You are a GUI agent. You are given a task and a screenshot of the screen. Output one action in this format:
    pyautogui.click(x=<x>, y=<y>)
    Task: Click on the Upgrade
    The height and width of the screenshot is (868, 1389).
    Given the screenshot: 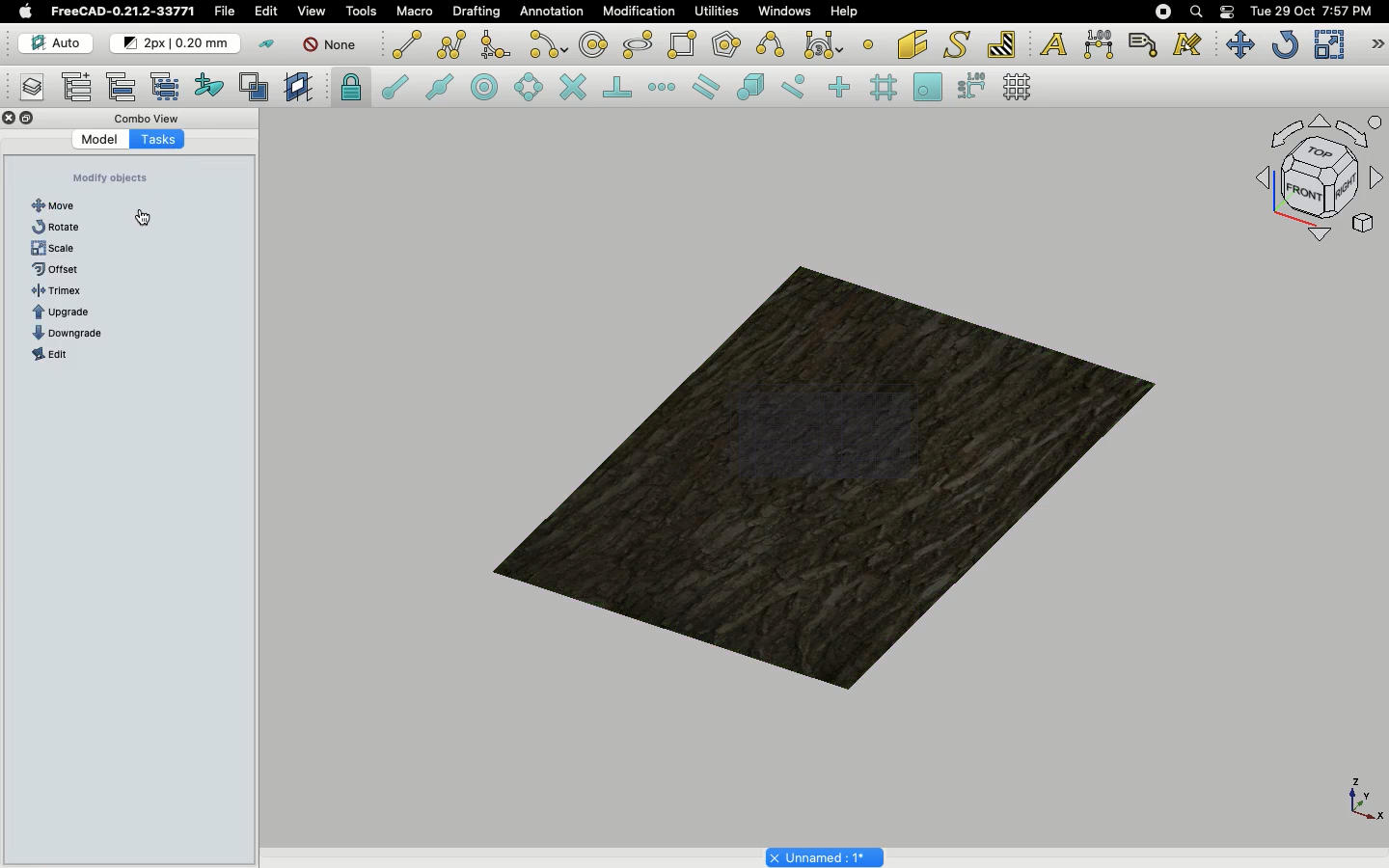 What is the action you would take?
    pyautogui.click(x=67, y=313)
    